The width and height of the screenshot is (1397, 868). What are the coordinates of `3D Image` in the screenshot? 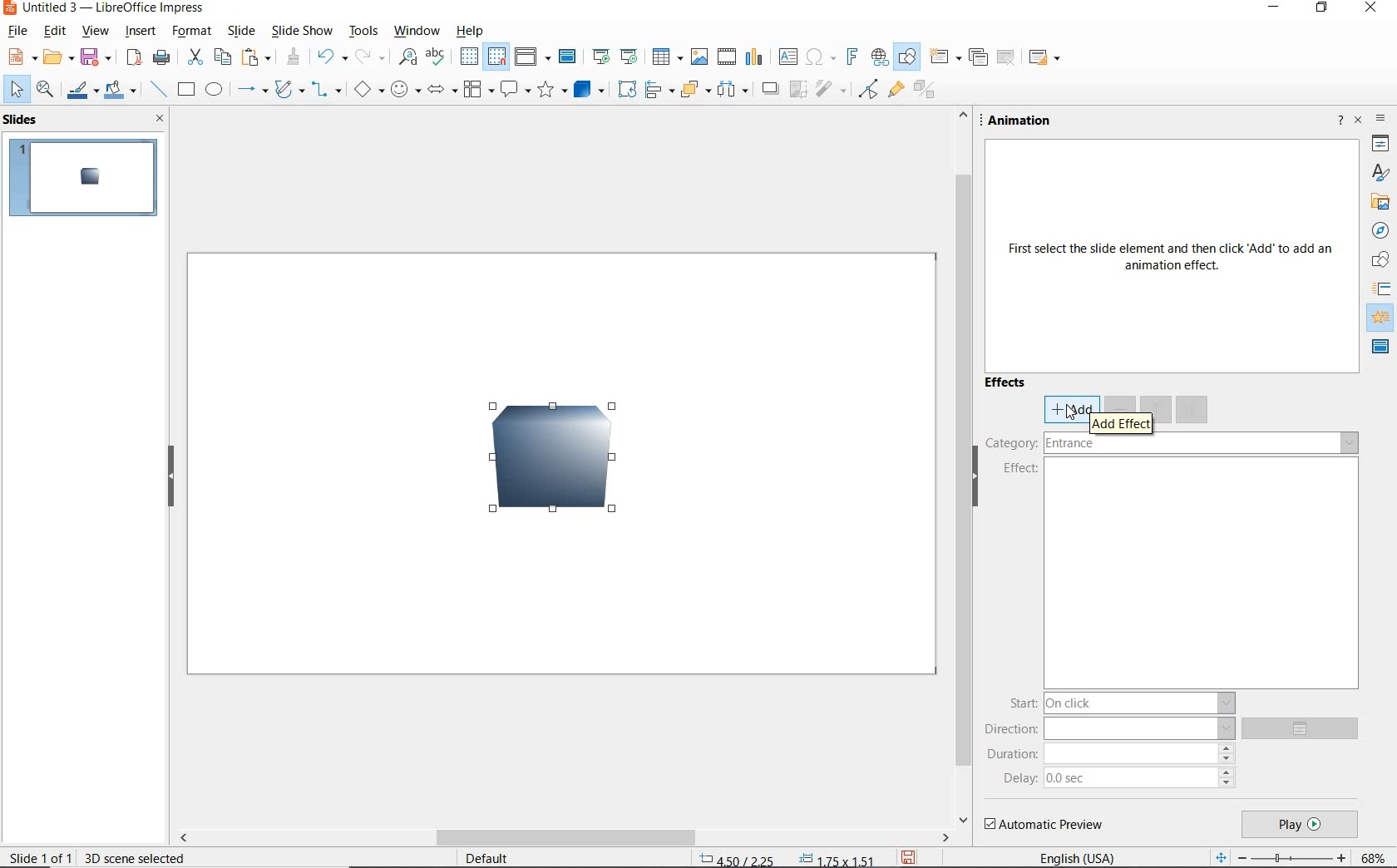 It's located at (541, 466).